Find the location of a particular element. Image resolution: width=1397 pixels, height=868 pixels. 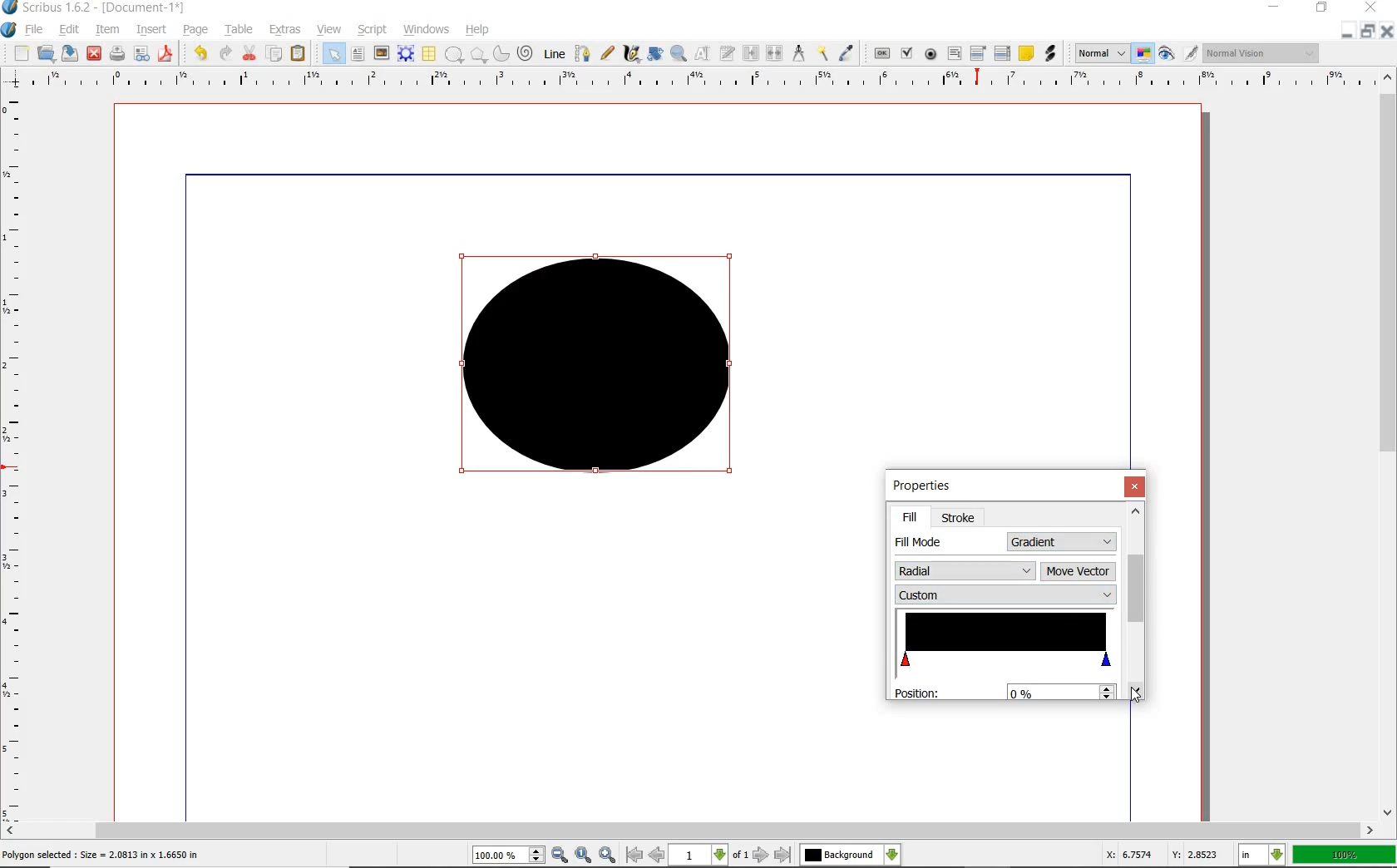

CLOSE is located at coordinates (94, 54).